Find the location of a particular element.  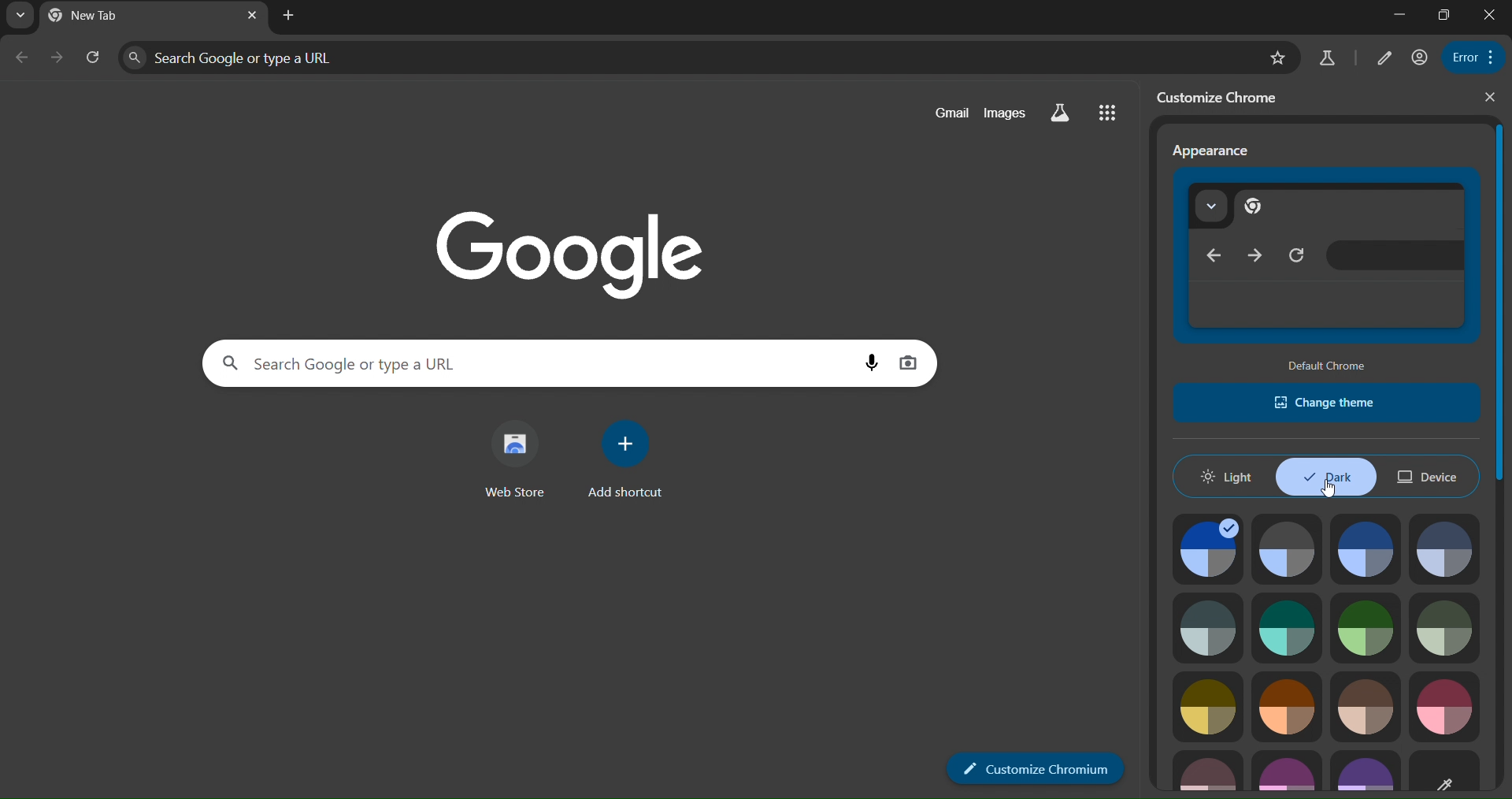

menu is located at coordinates (1468, 57).